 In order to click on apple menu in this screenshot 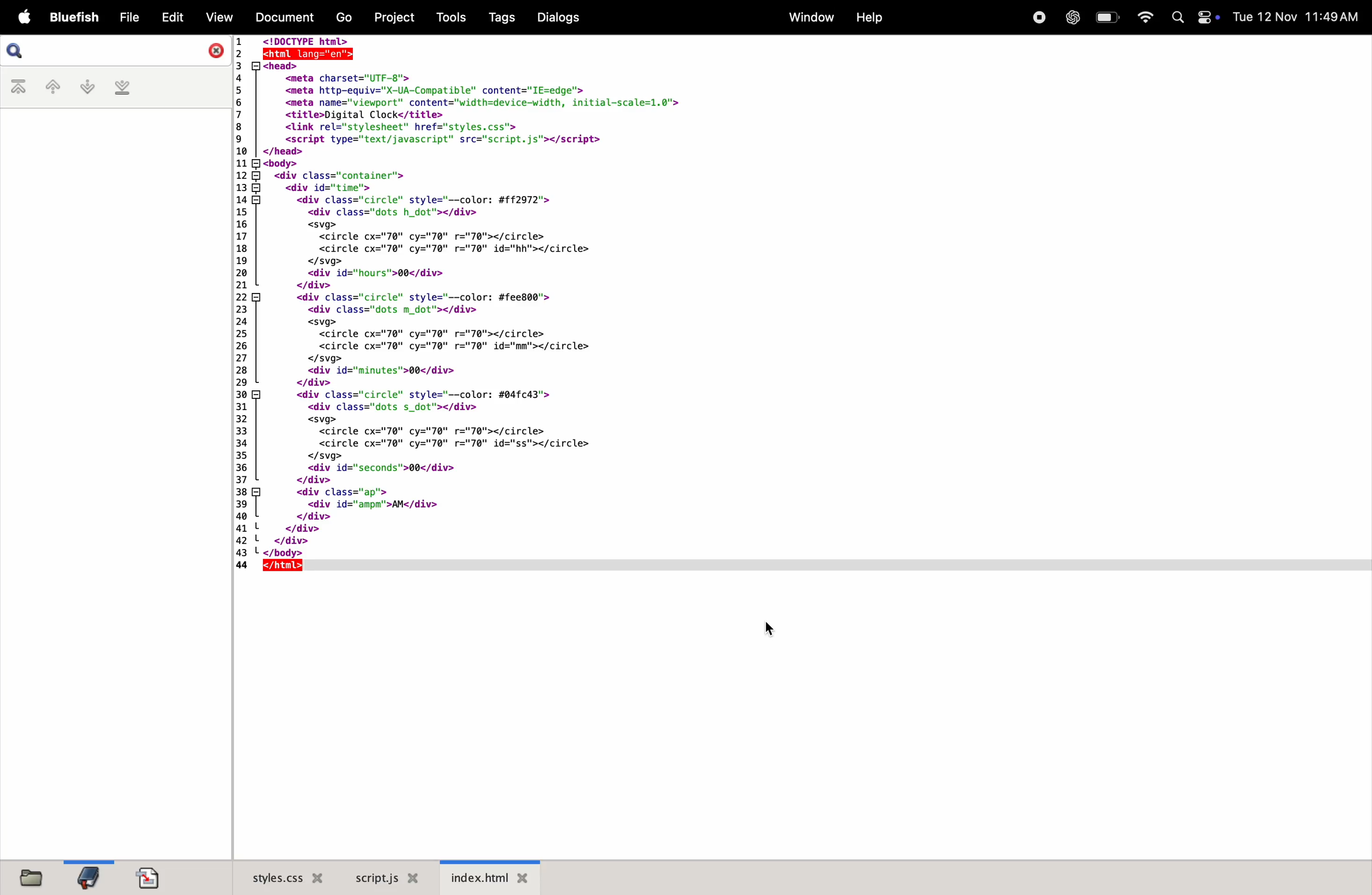, I will do `click(20, 17)`.